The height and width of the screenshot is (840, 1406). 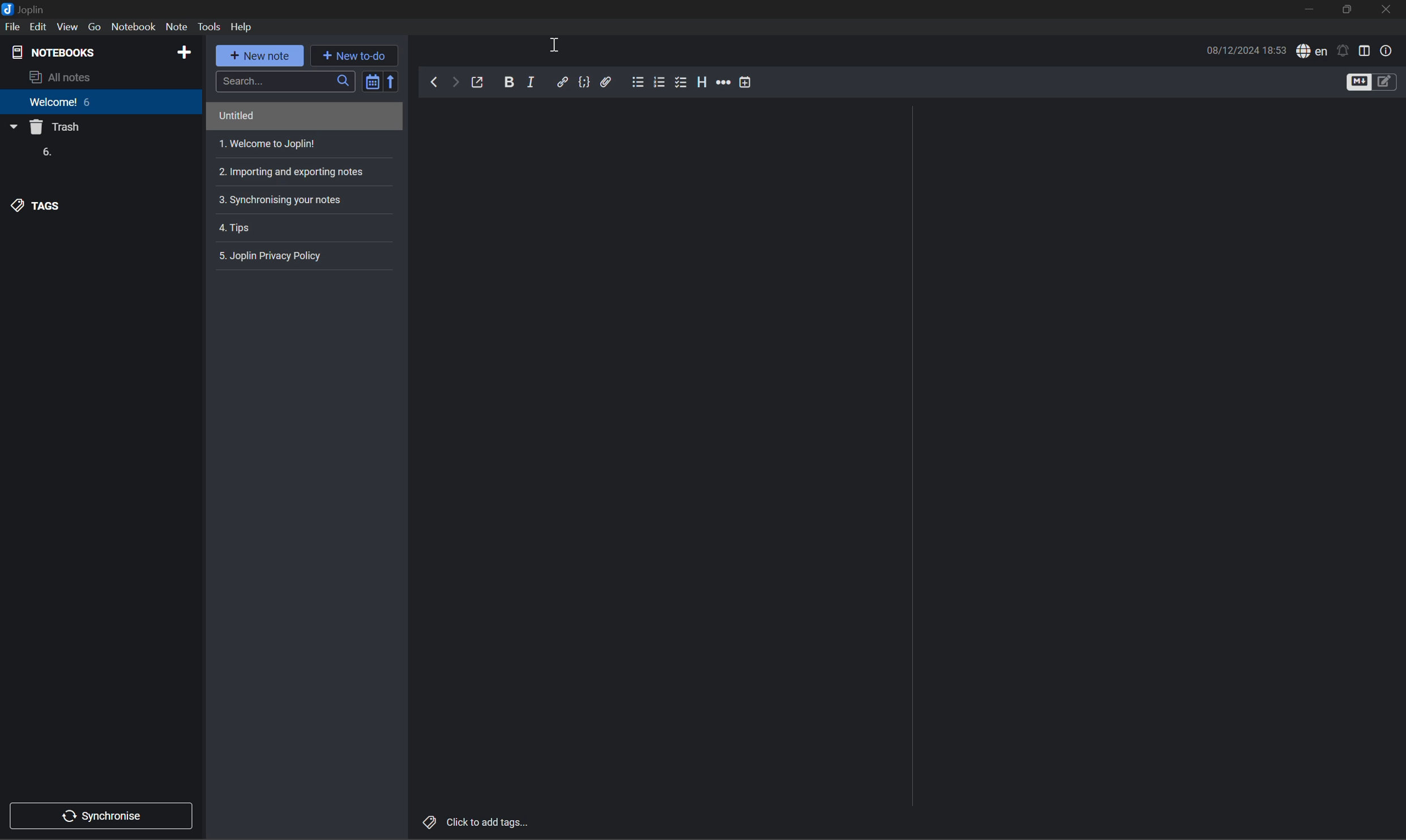 I want to click on Edit, so click(x=41, y=27).